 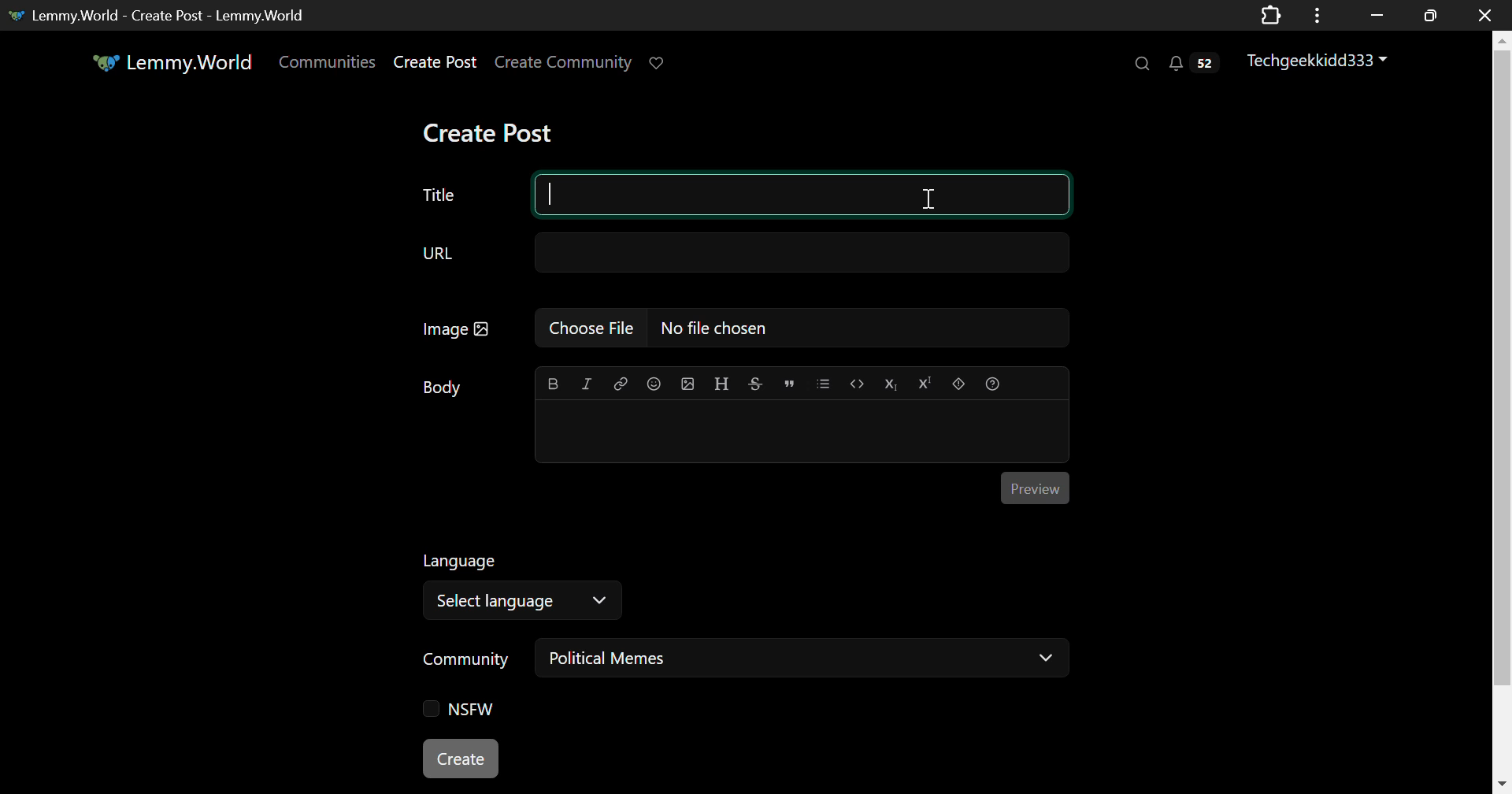 What do you see at coordinates (747, 661) in the screenshot?
I see `Community: Political Memes` at bounding box center [747, 661].